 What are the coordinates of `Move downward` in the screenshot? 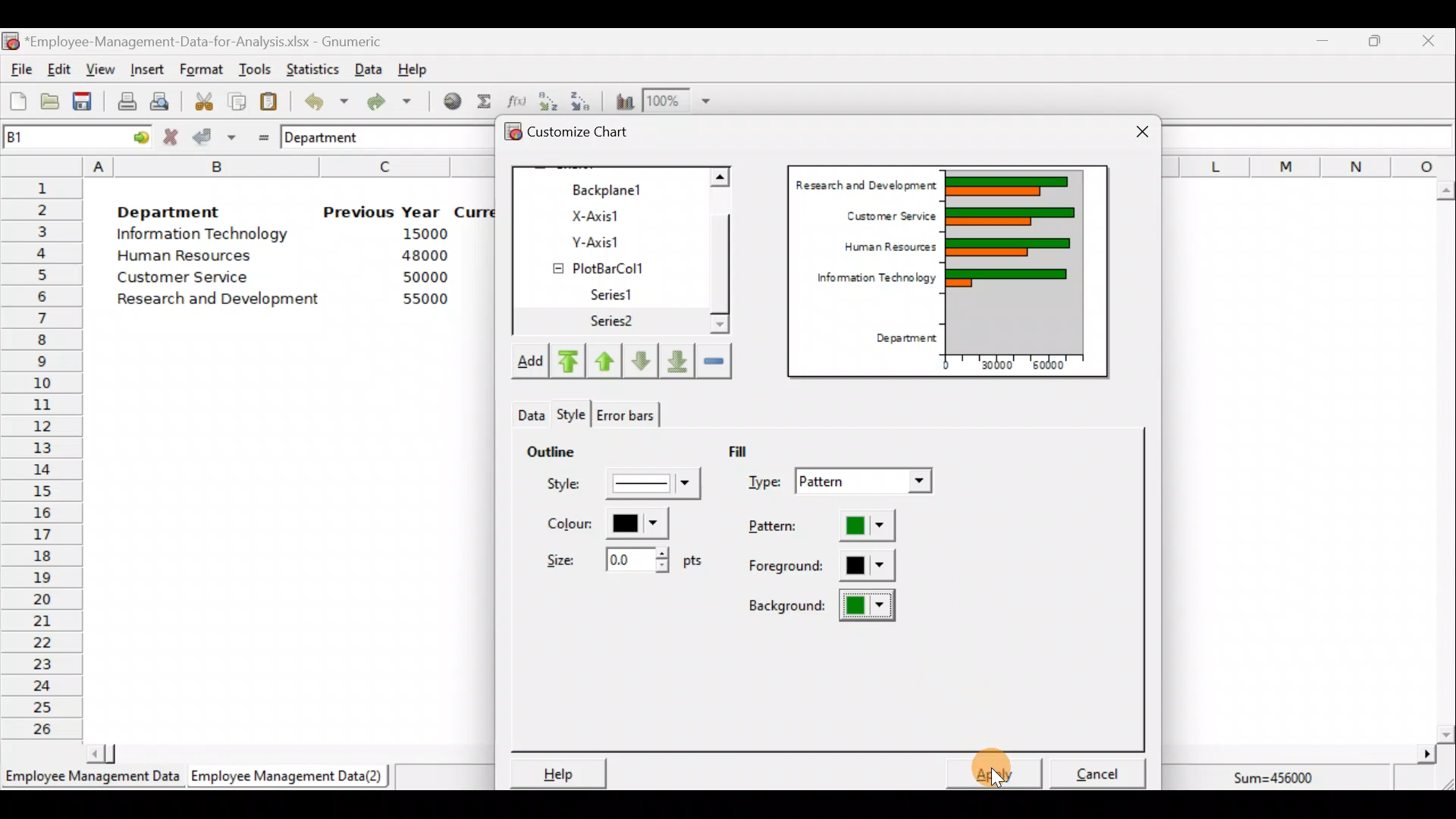 It's located at (678, 359).